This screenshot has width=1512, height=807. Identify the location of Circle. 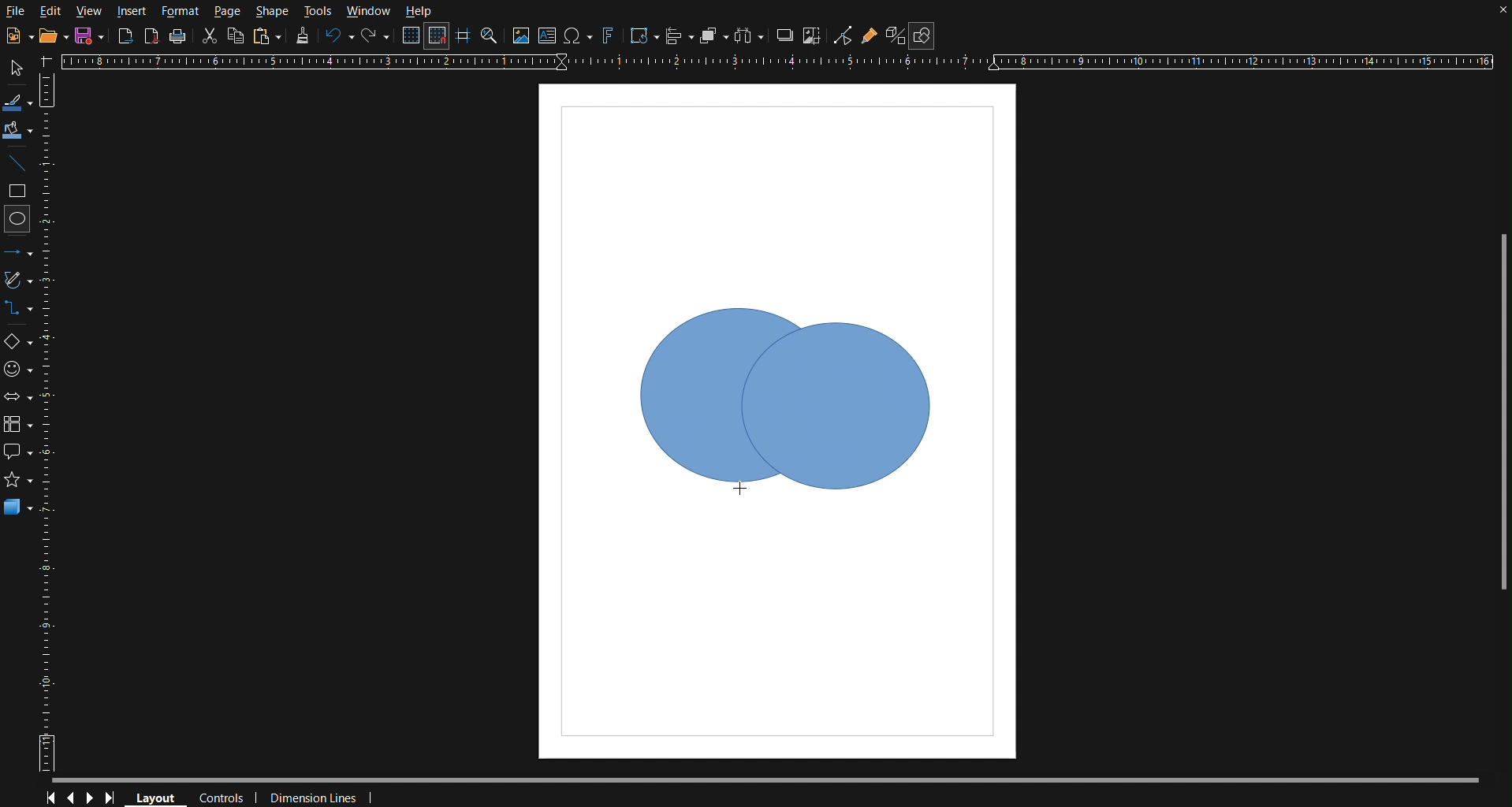
(19, 222).